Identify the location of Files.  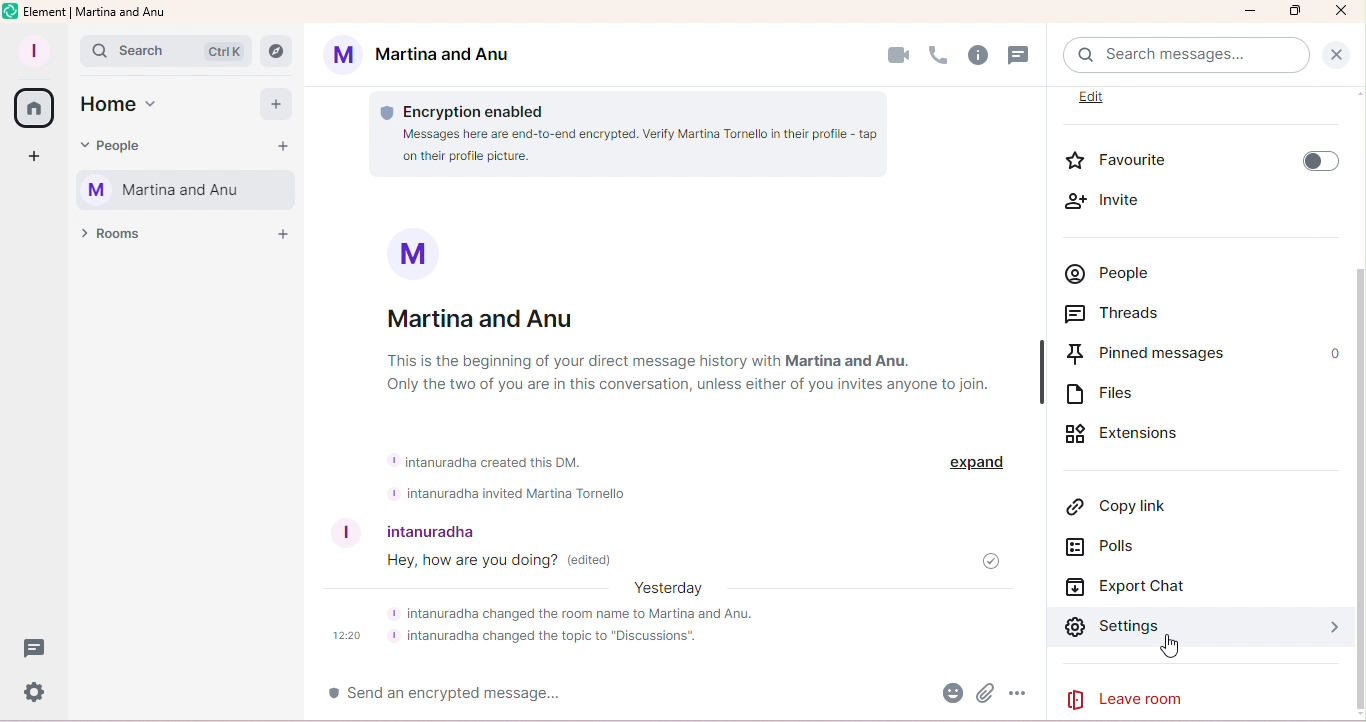
(1149, 394).